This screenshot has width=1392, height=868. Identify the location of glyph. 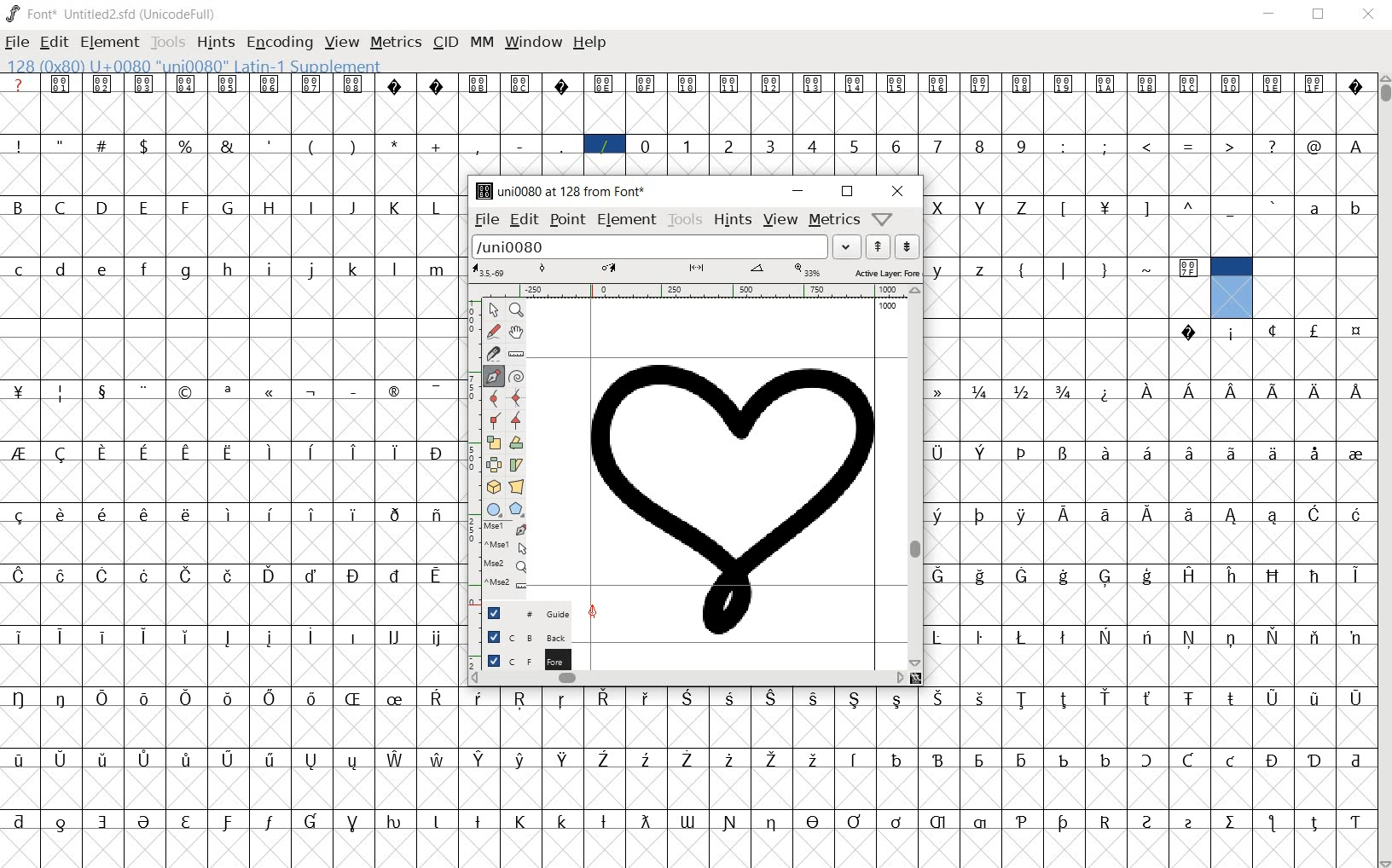
(20, 270).